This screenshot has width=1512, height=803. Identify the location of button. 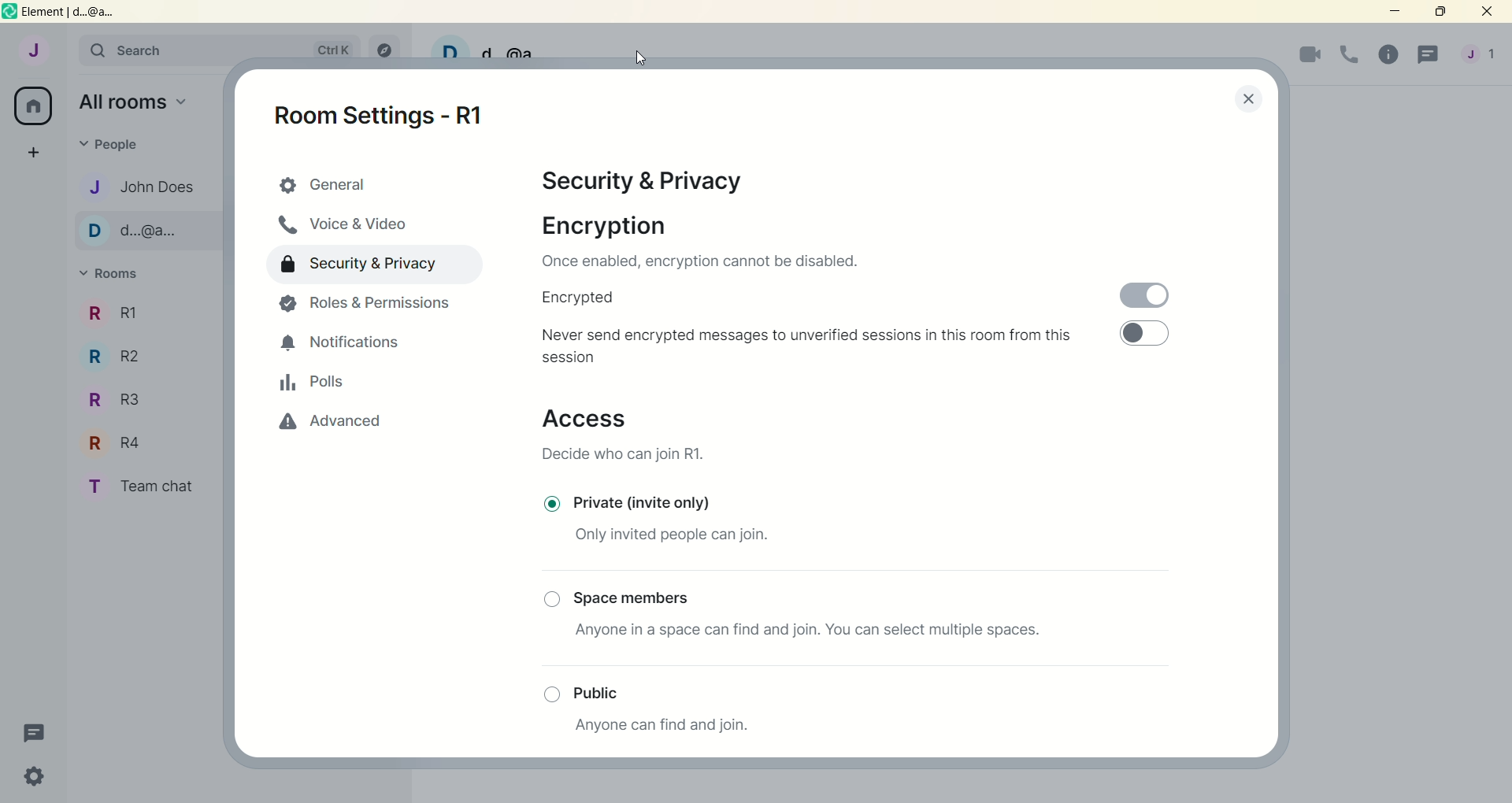
(548, 690).